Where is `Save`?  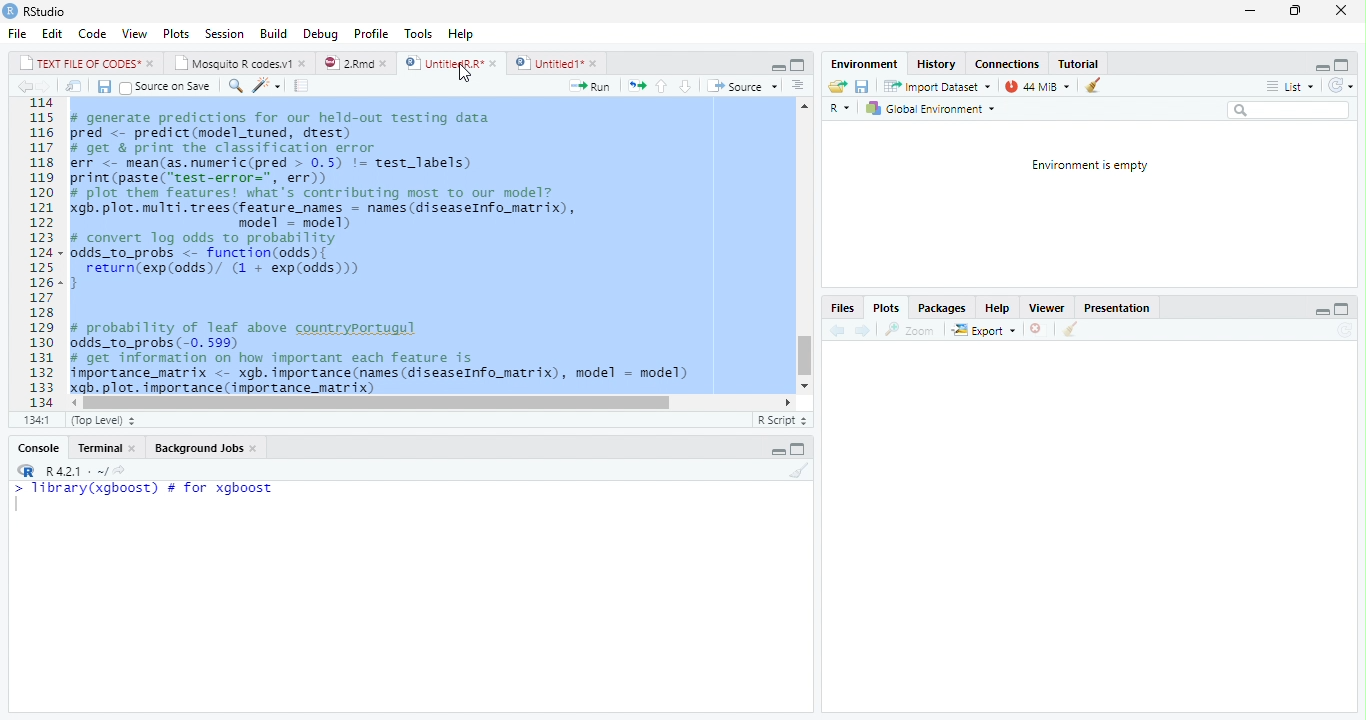
Save is located at coordinates (863, 85).